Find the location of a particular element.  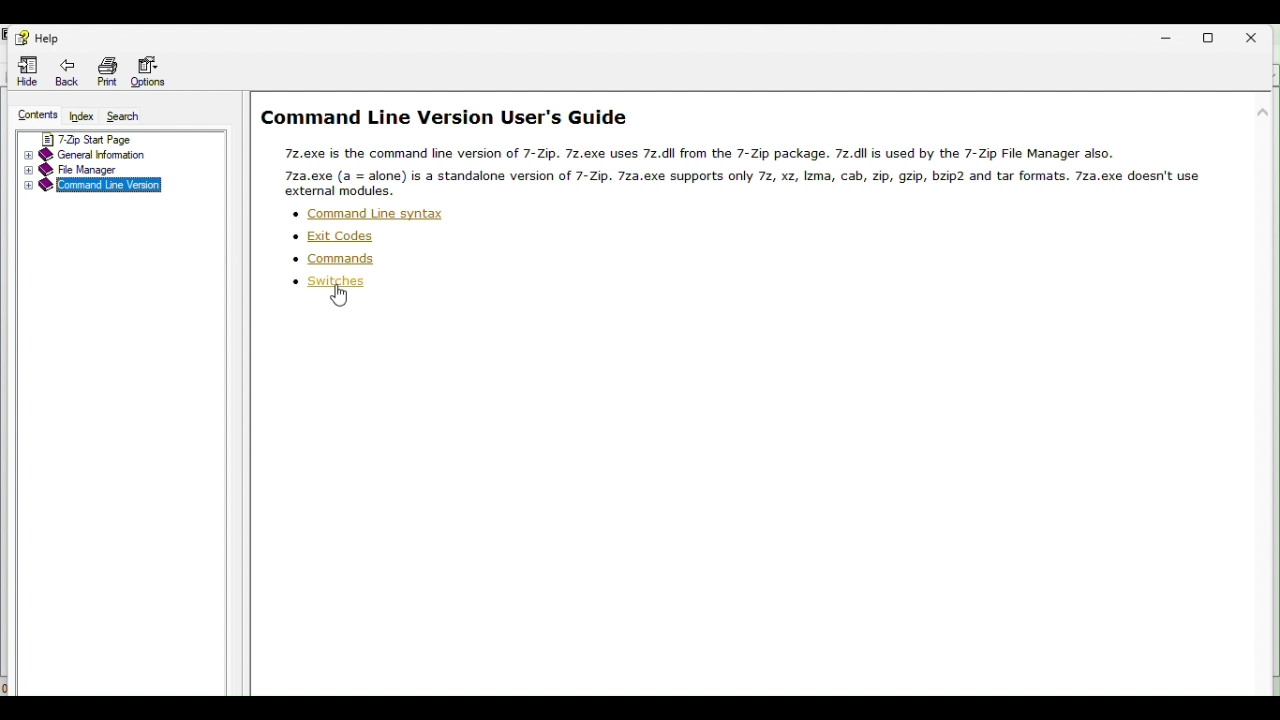

Command line version is located at coordinates (107, 188).